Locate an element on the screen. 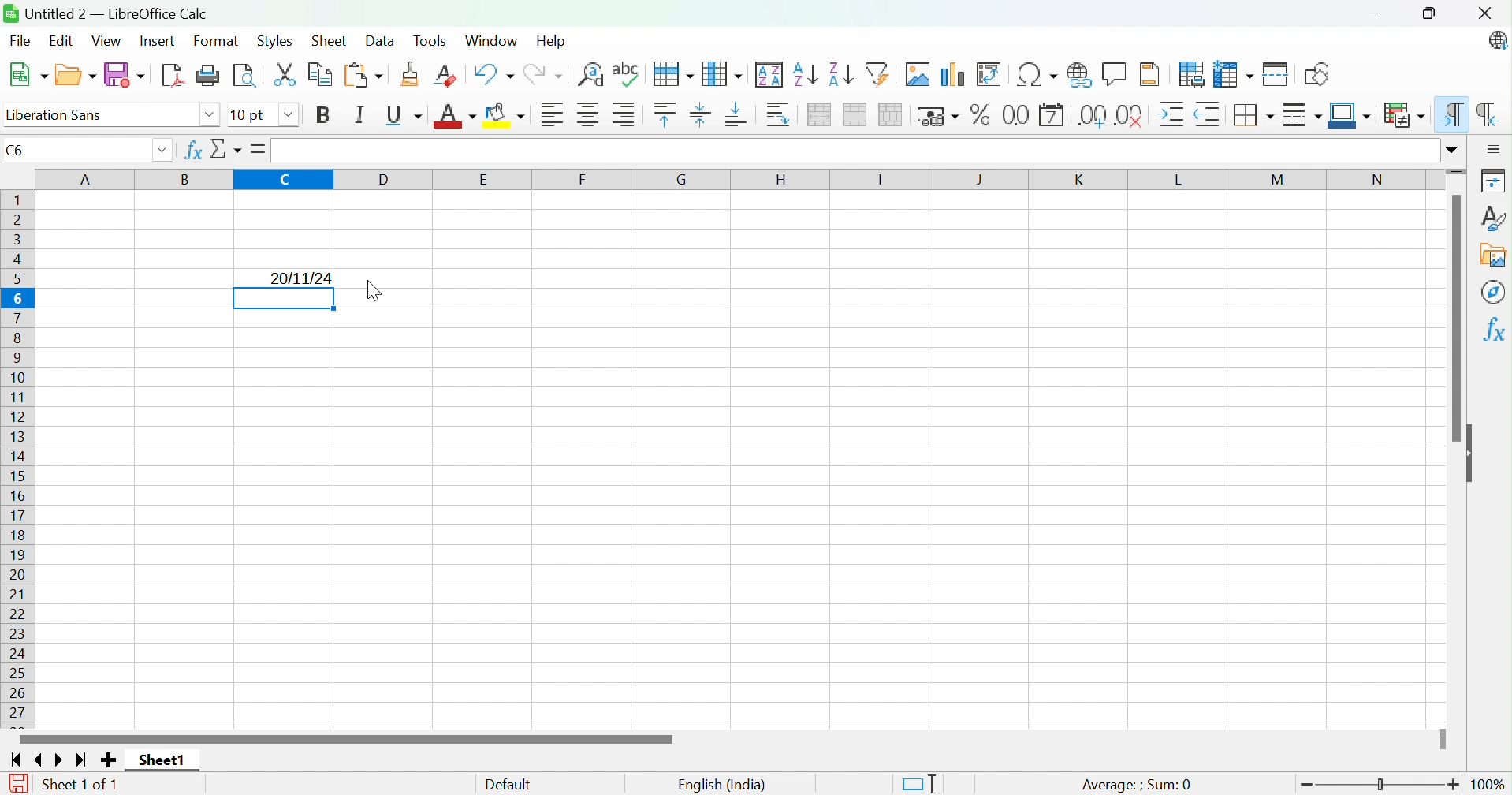 The width and height of the screenshot is (1512, 795). Expand formula is located at coordinates (1454, 149).